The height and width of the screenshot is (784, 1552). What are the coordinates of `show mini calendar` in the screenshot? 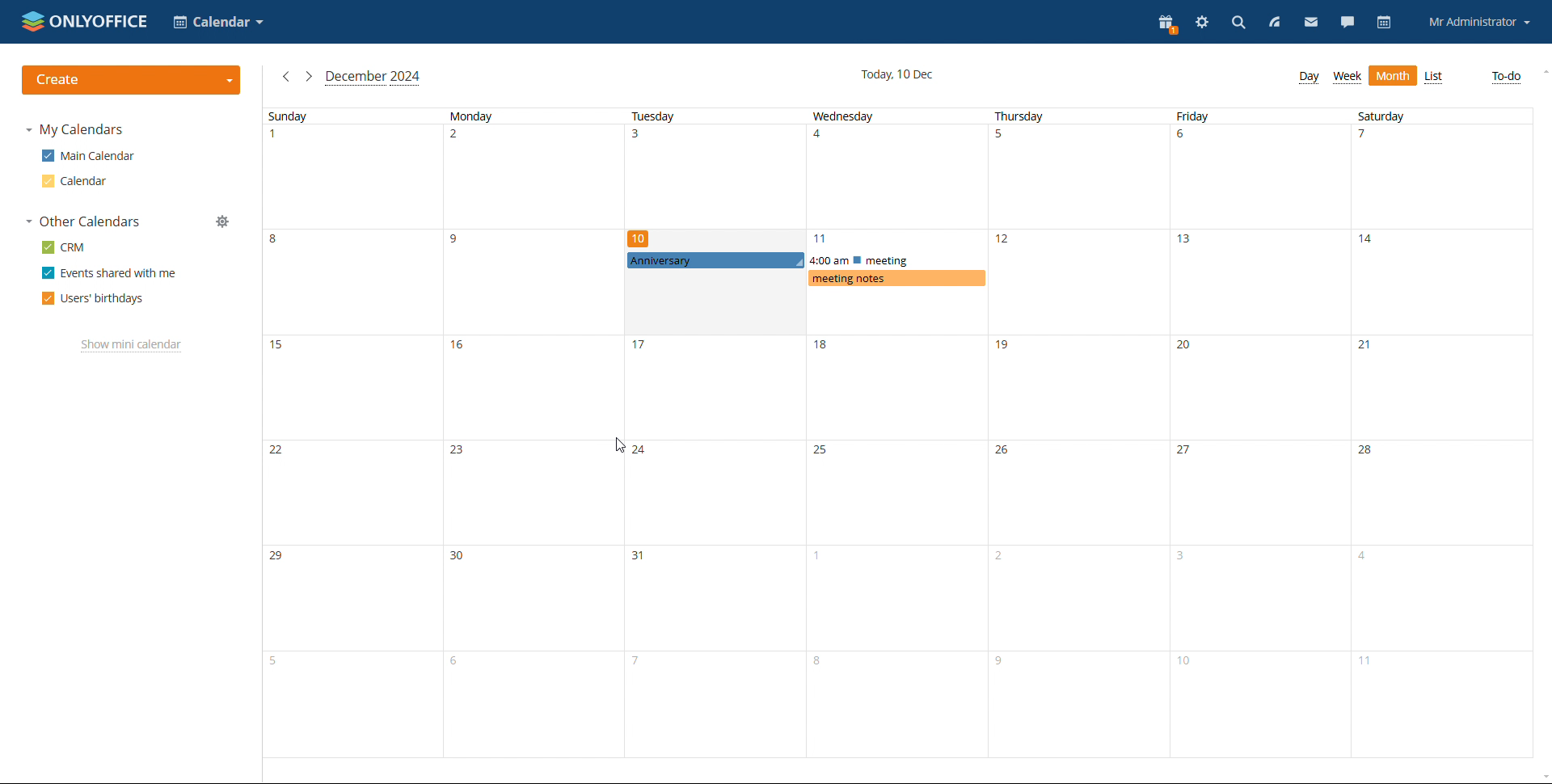 It's located at (129, 345).